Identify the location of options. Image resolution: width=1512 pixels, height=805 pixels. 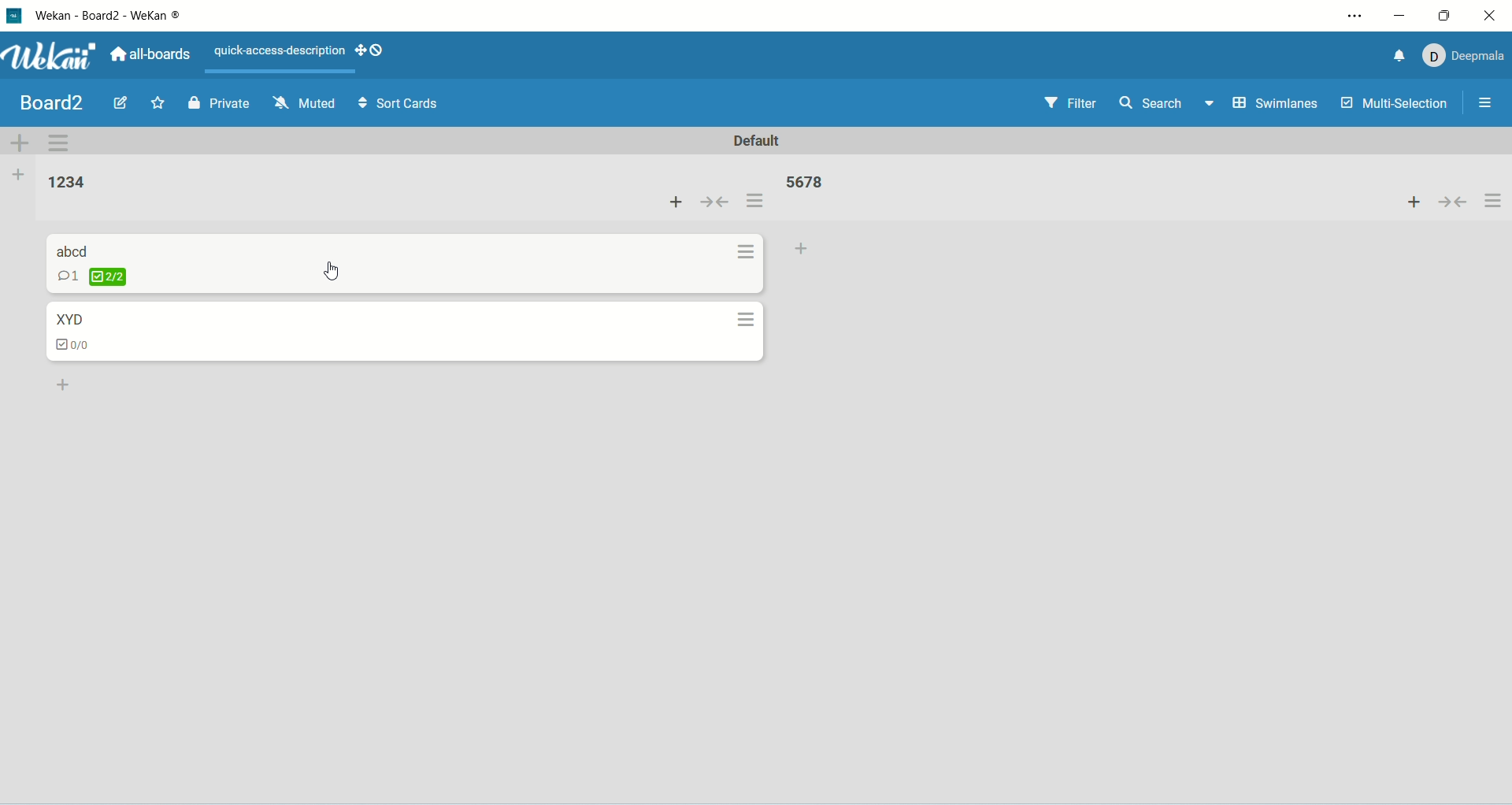
(1490, 101).